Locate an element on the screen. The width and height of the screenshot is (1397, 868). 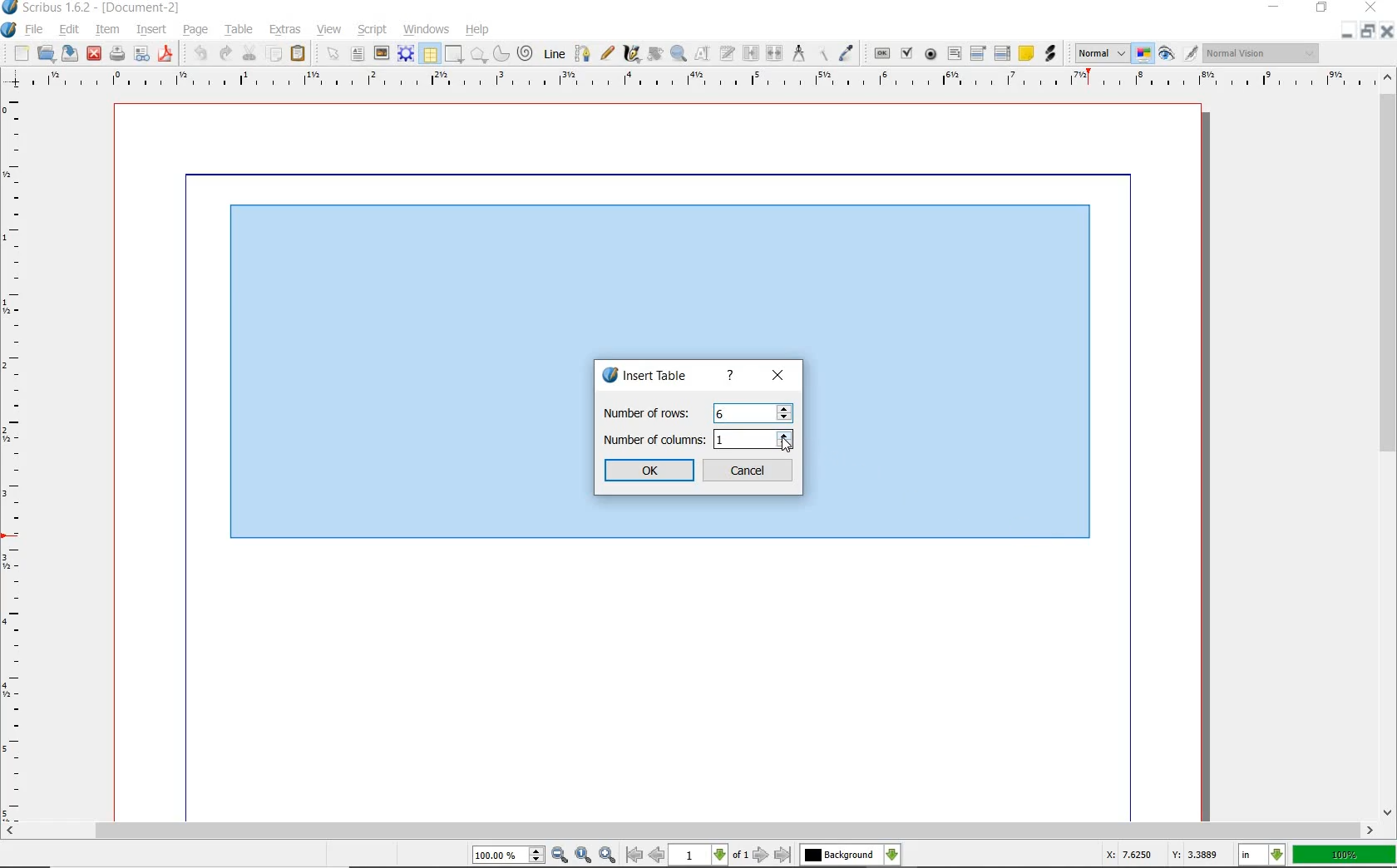
zoom in or out is located at coordinates (677, 54).